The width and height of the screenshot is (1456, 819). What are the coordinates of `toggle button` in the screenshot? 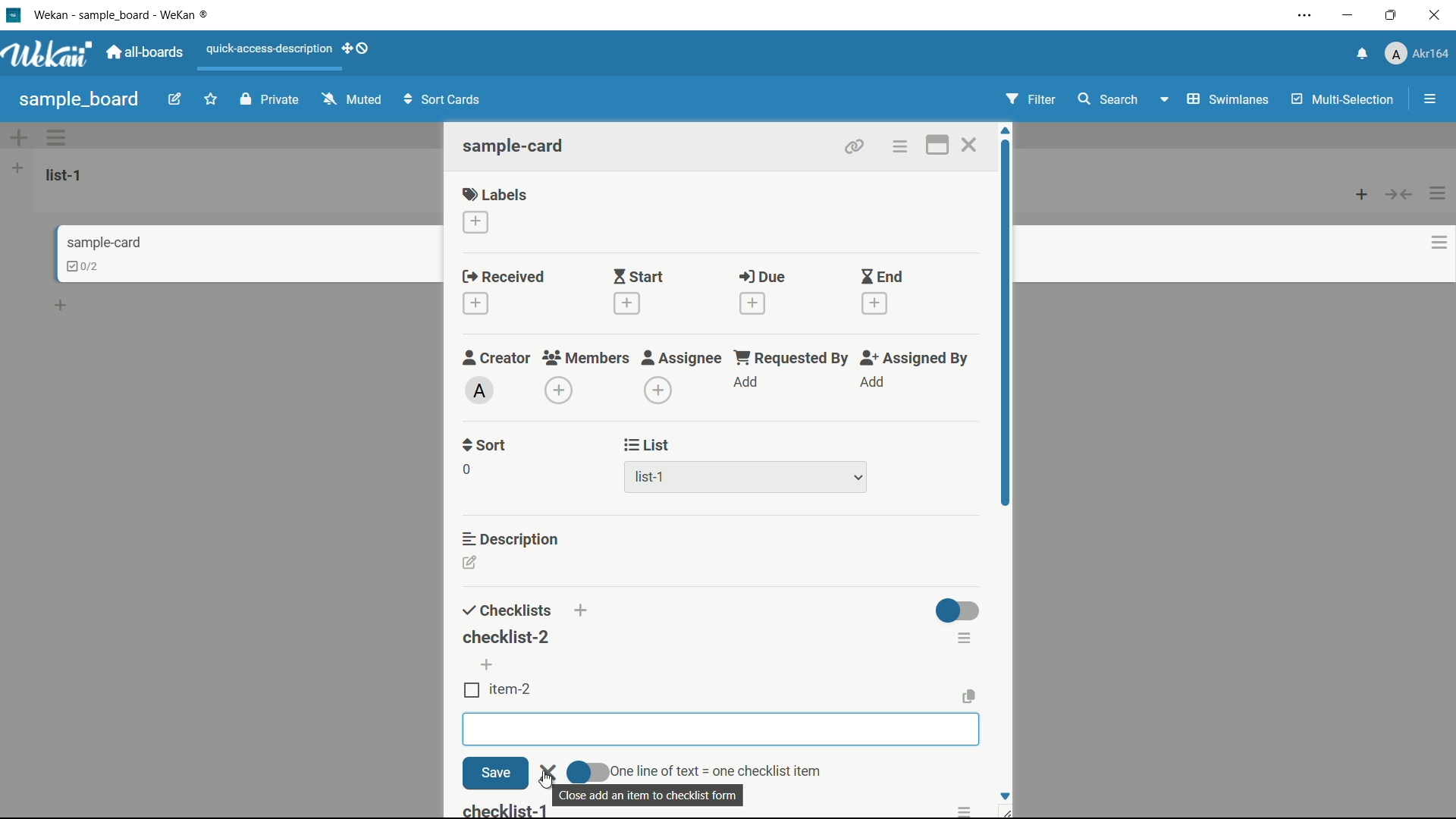 It's located at (588, 770).